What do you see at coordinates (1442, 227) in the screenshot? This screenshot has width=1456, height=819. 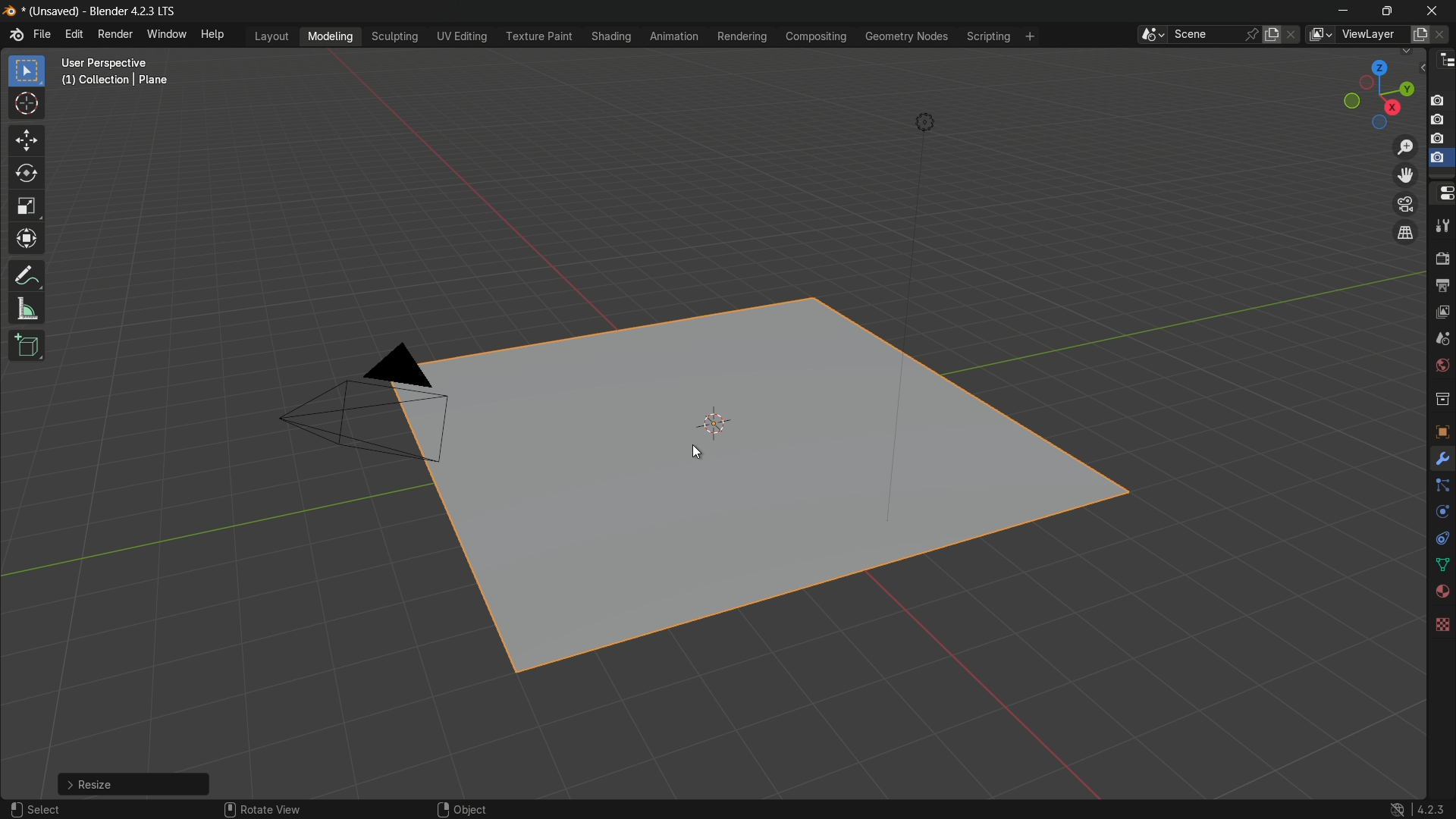 I see `tools` at bounding box center [1442, 227].